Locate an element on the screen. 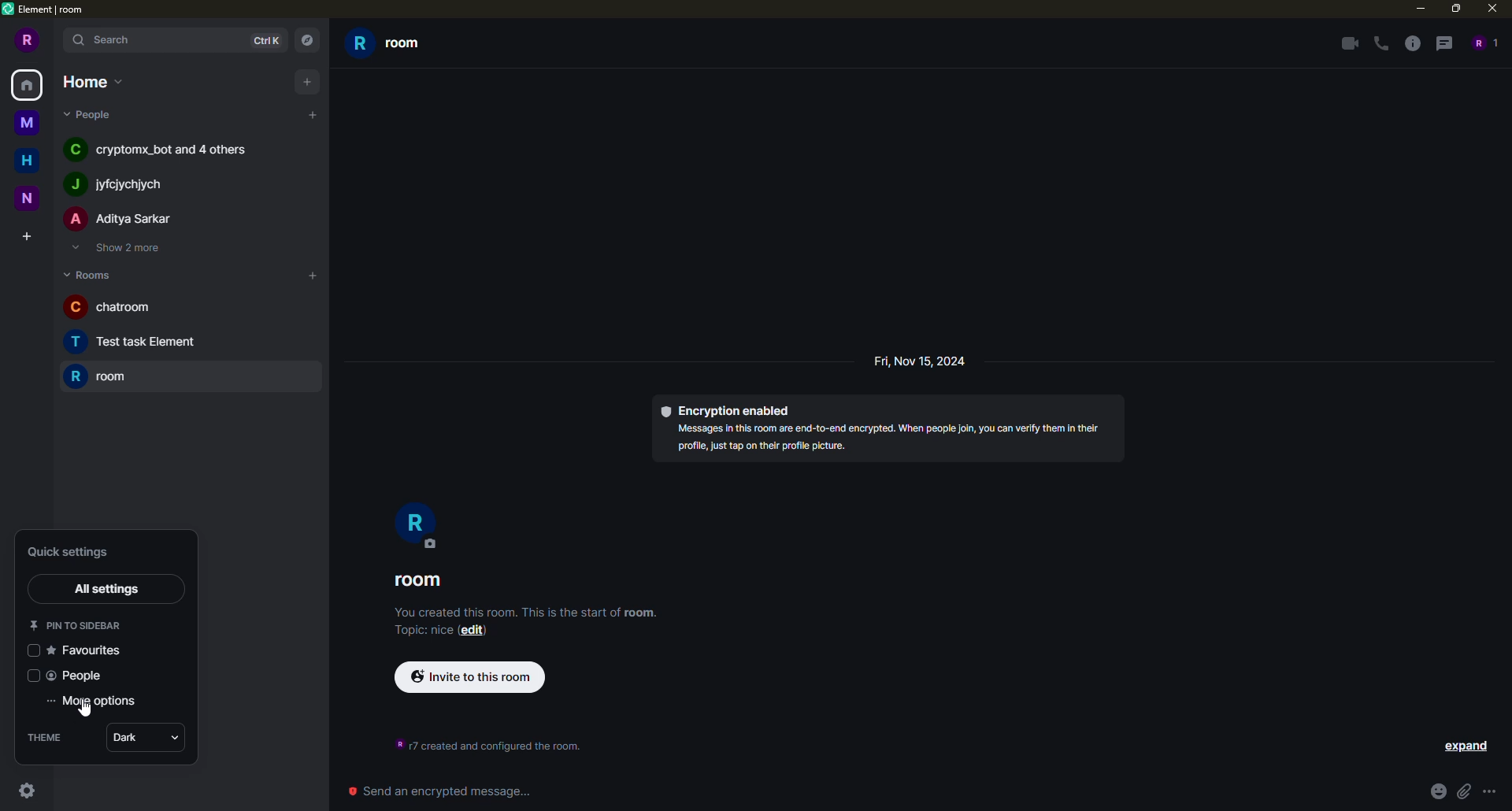  '® (7 created and configured the room. is located at coordinates (481, 742).